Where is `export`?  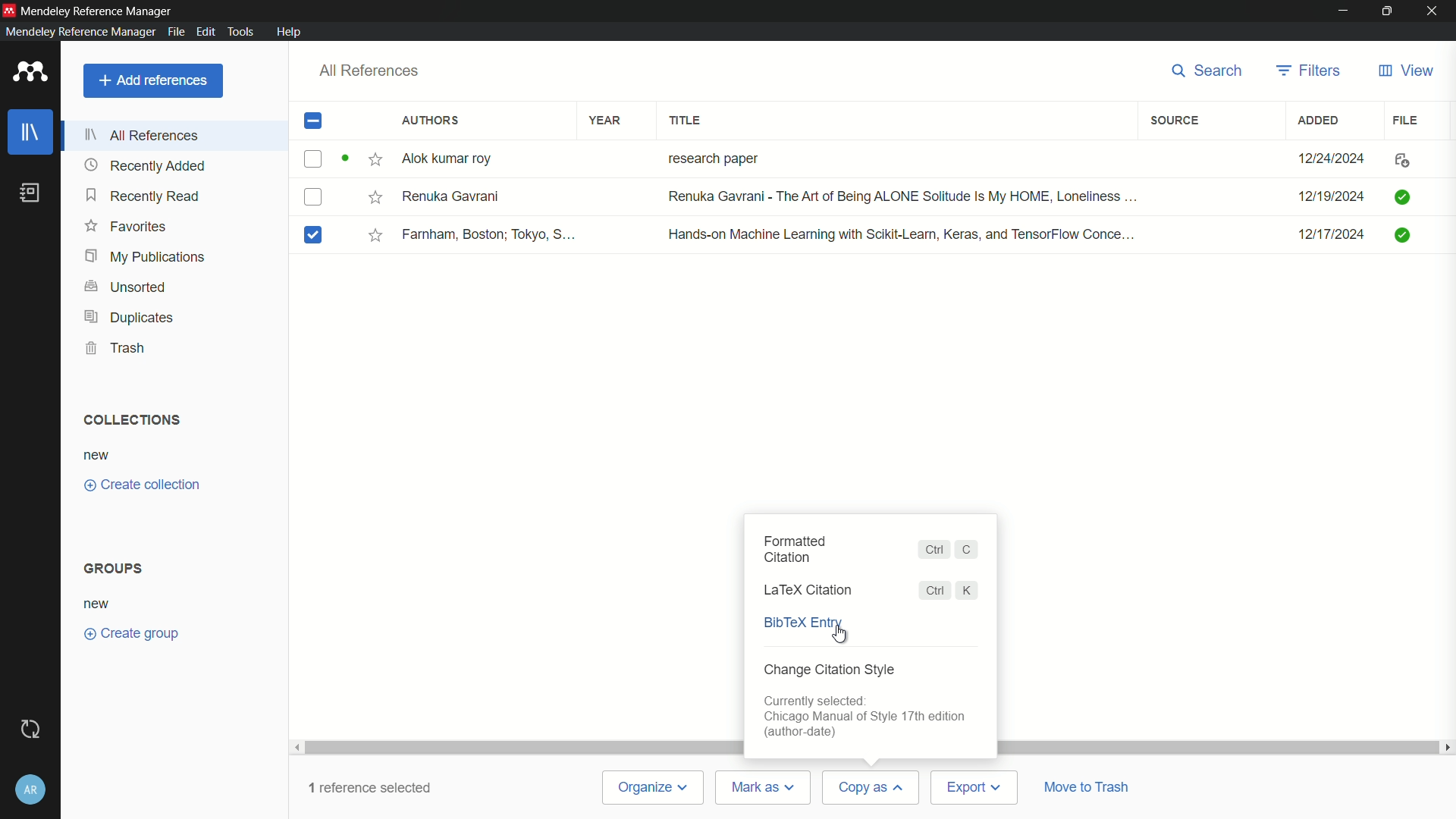 export is located at coordinates (974, 787).